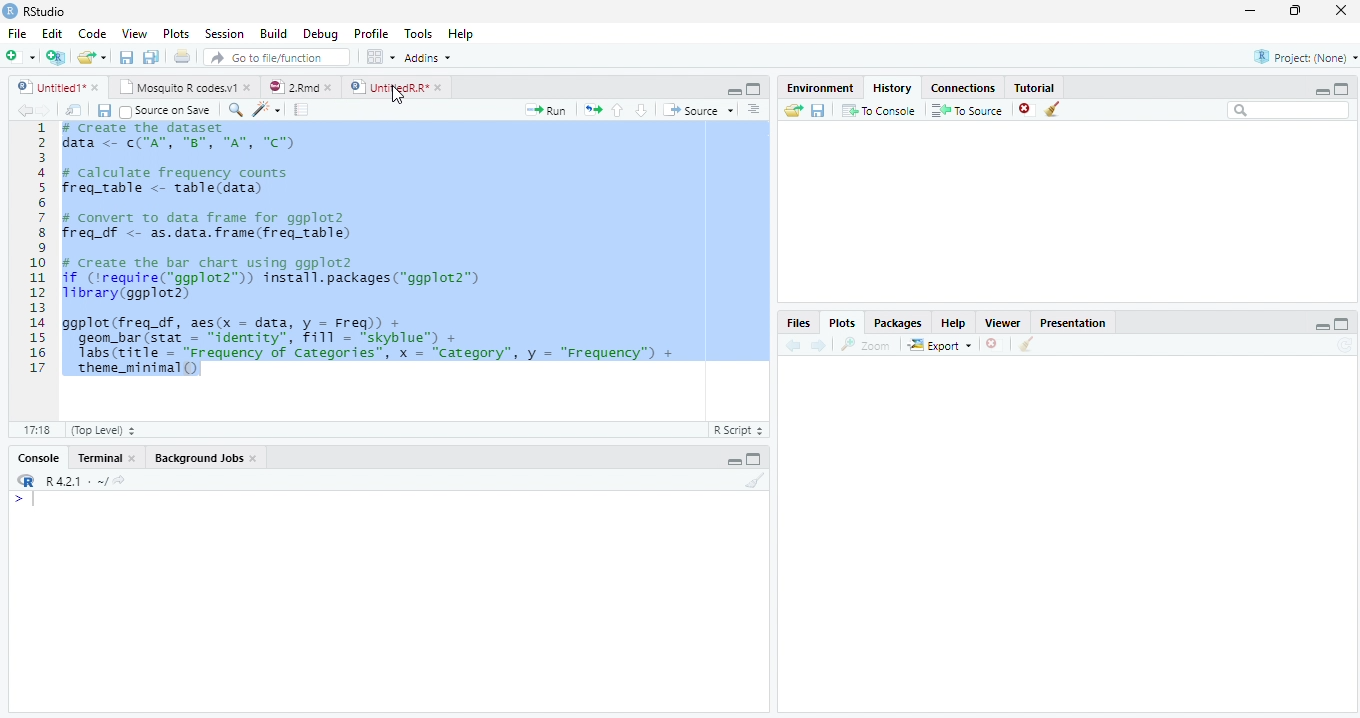 This screenshot has height=718, width=1360. Describe the element at coordinates (1052, 108) in the screenshot. I see `Clear Console` at that location.